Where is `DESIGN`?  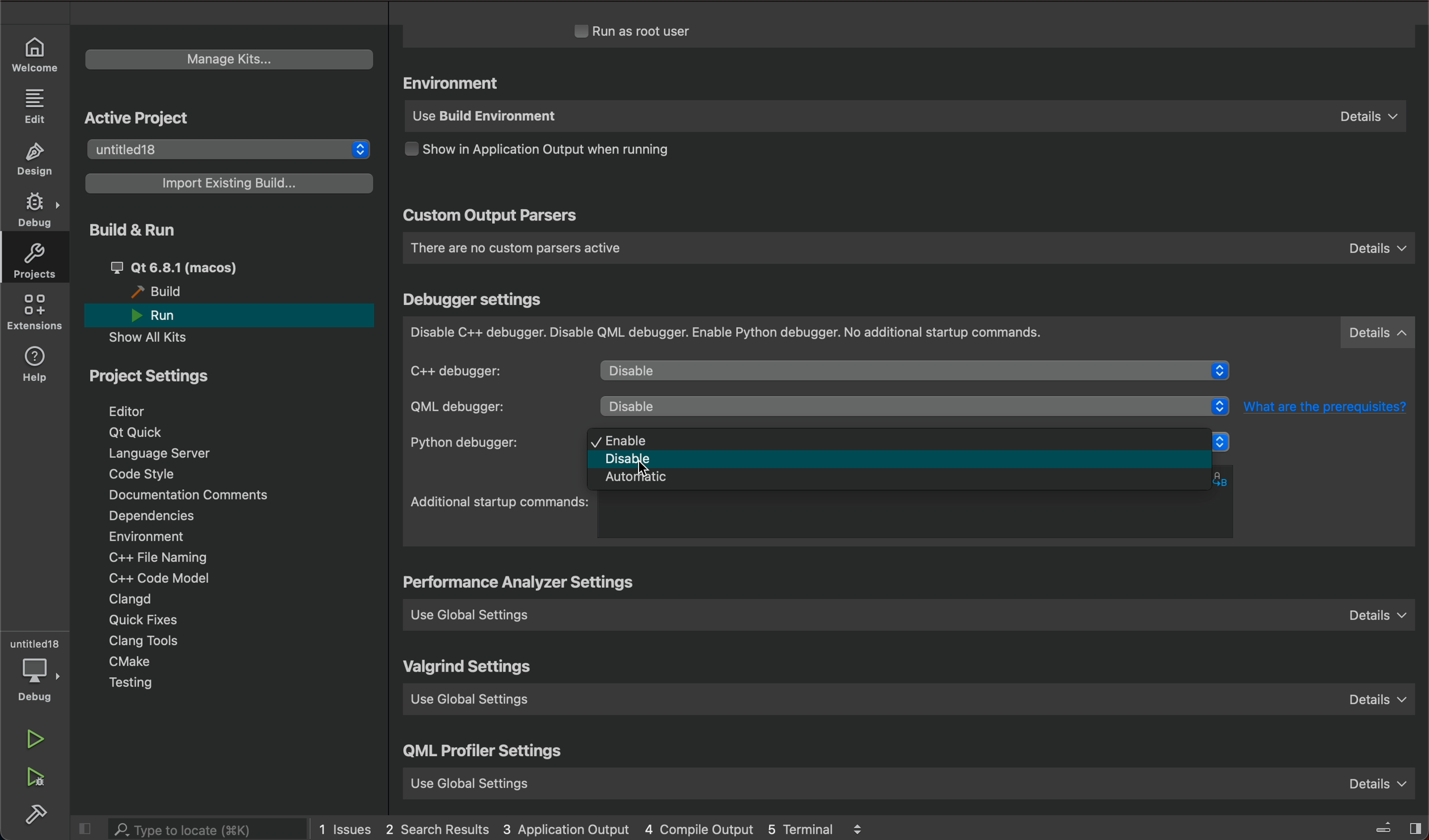
DESIGN is located at coordinates (39, 160).